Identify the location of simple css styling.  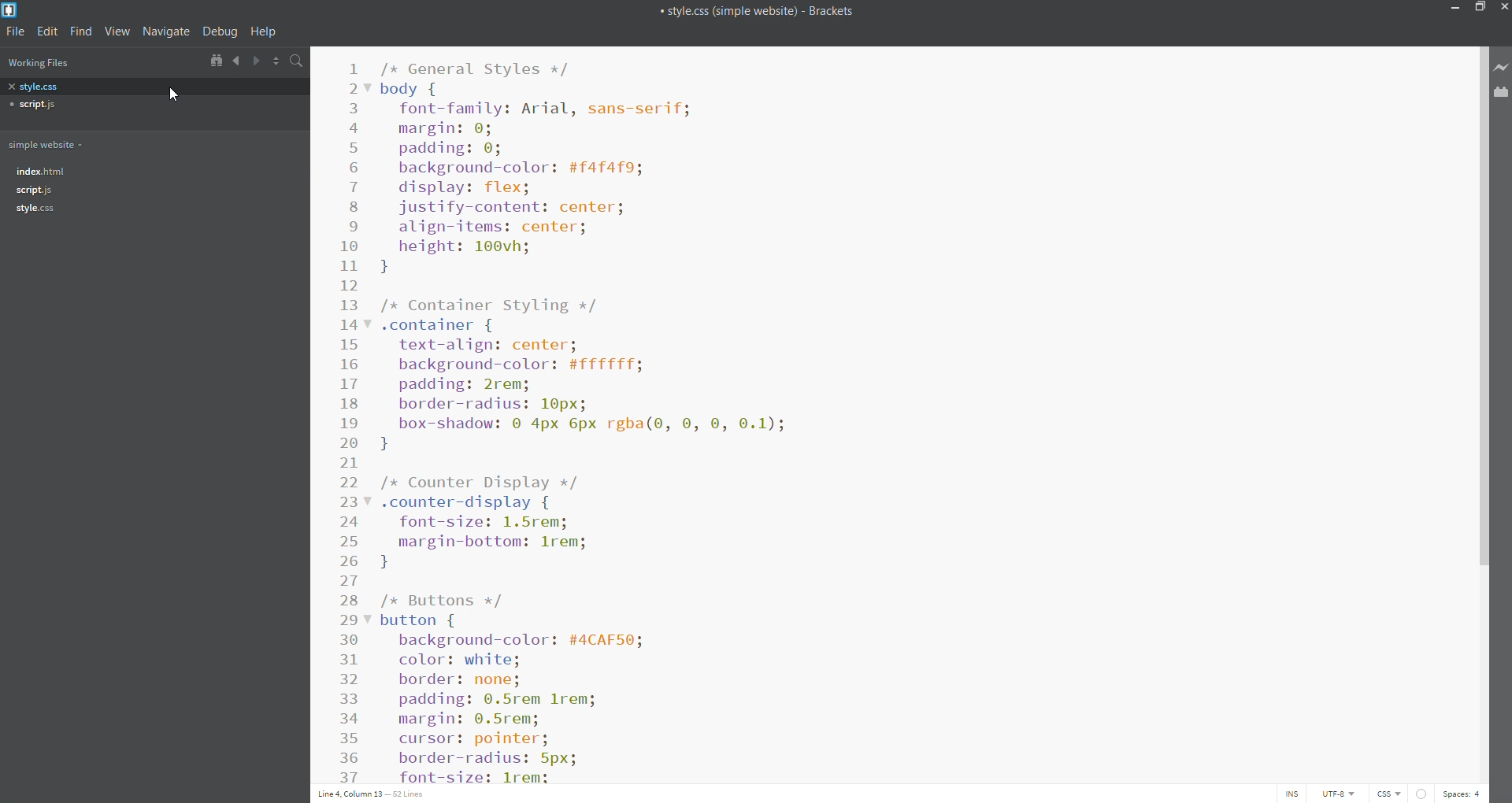
(922, 412).